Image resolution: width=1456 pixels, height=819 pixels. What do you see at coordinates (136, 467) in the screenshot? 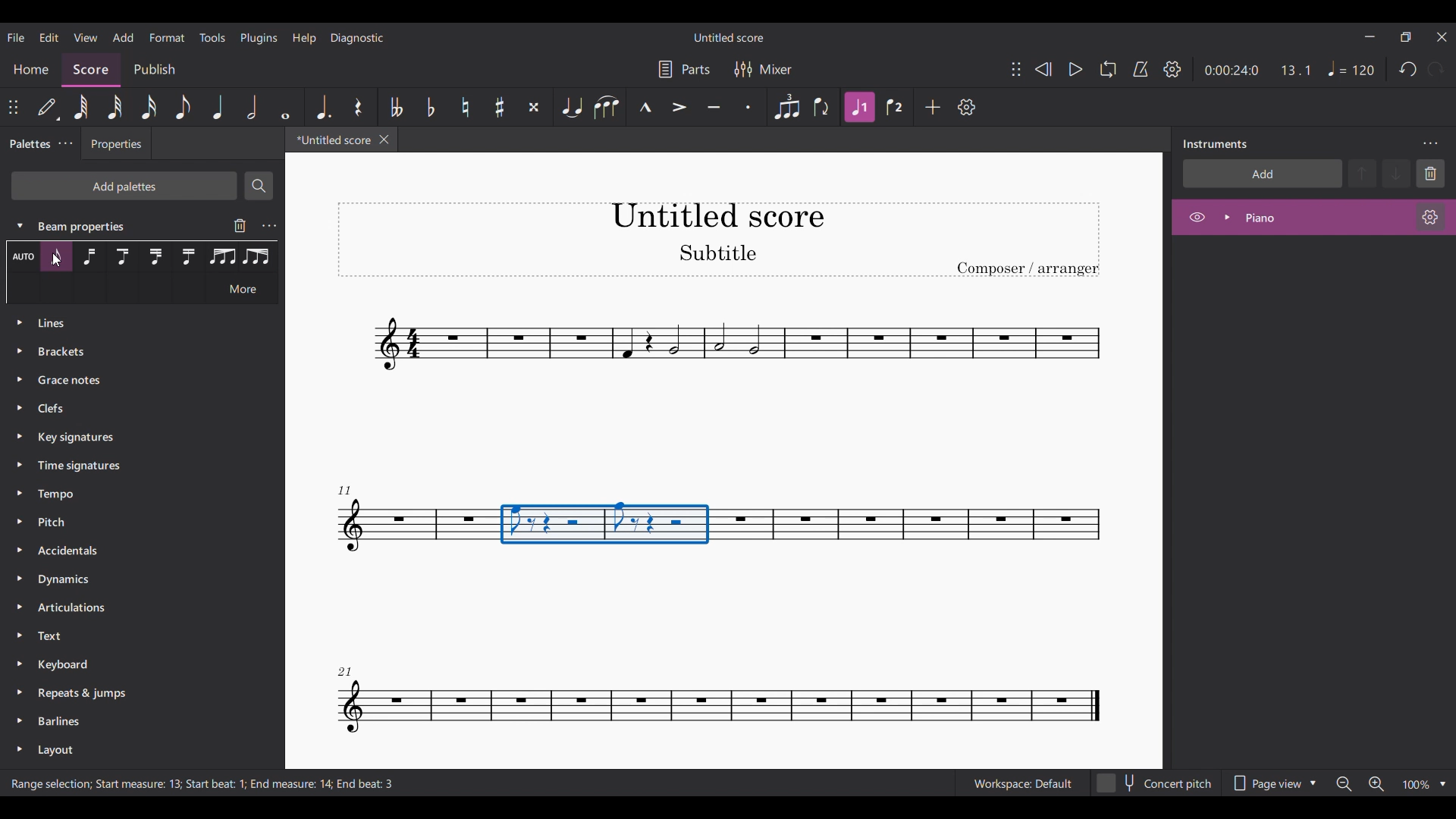
I see `Time signatures` at bounding box center [136, 467].